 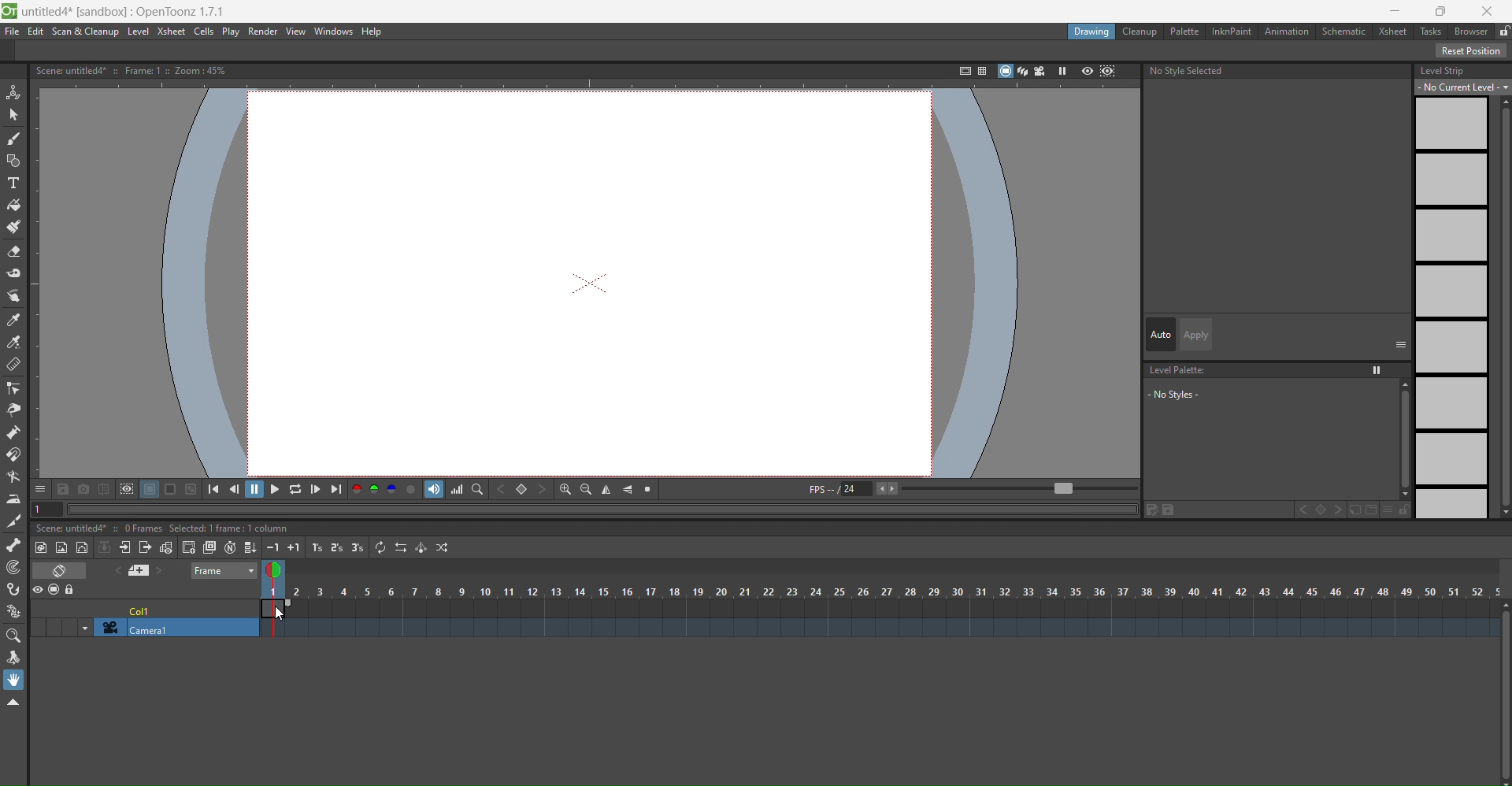 What do you see at coordinates (105, 547) in the screenshot?
I see `collapse` at bounding box center [105, 547].